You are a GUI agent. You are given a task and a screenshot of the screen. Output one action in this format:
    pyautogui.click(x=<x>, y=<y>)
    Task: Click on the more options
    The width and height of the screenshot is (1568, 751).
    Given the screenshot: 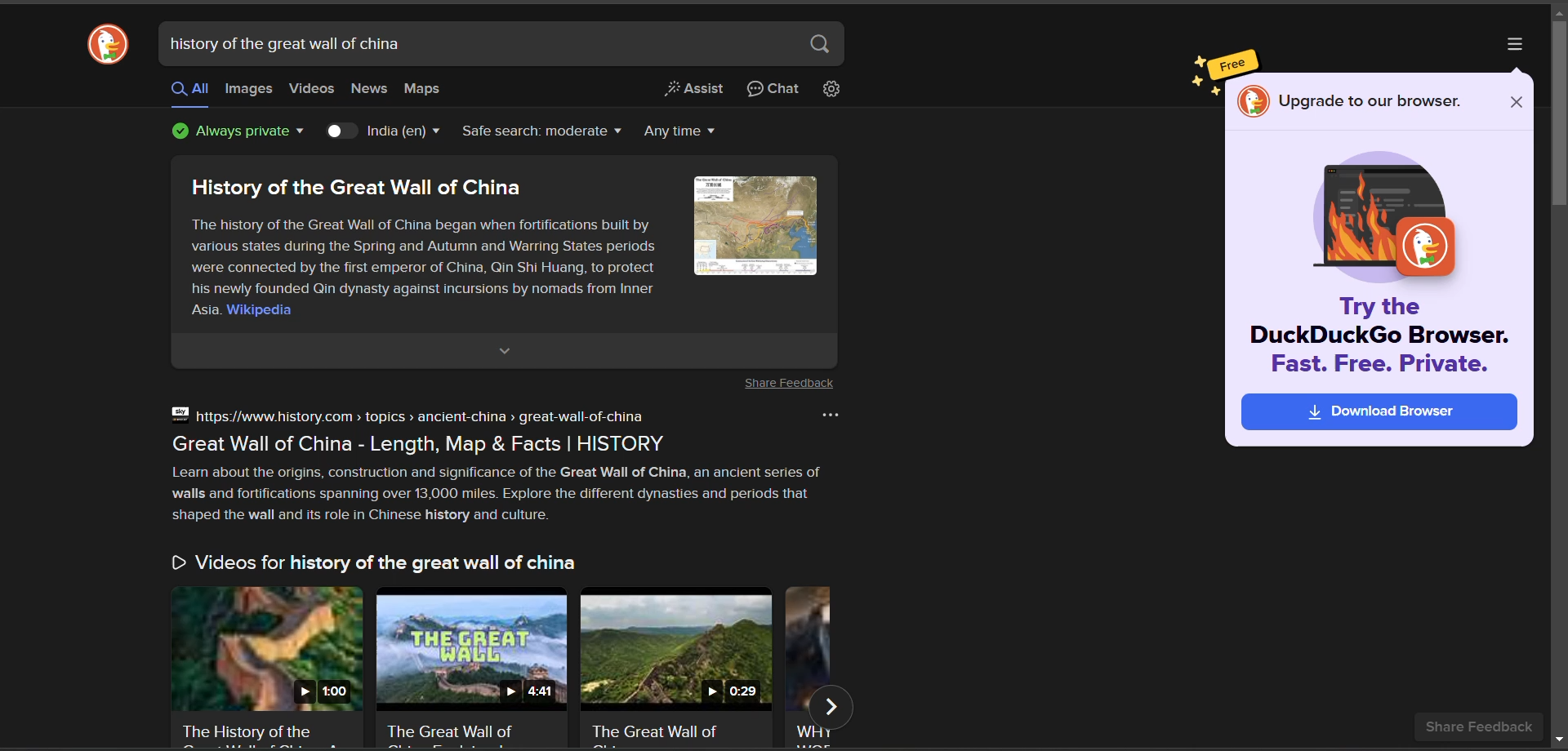 What is the action you would take?
    pyautogui.click(x=1513, y=47)
    